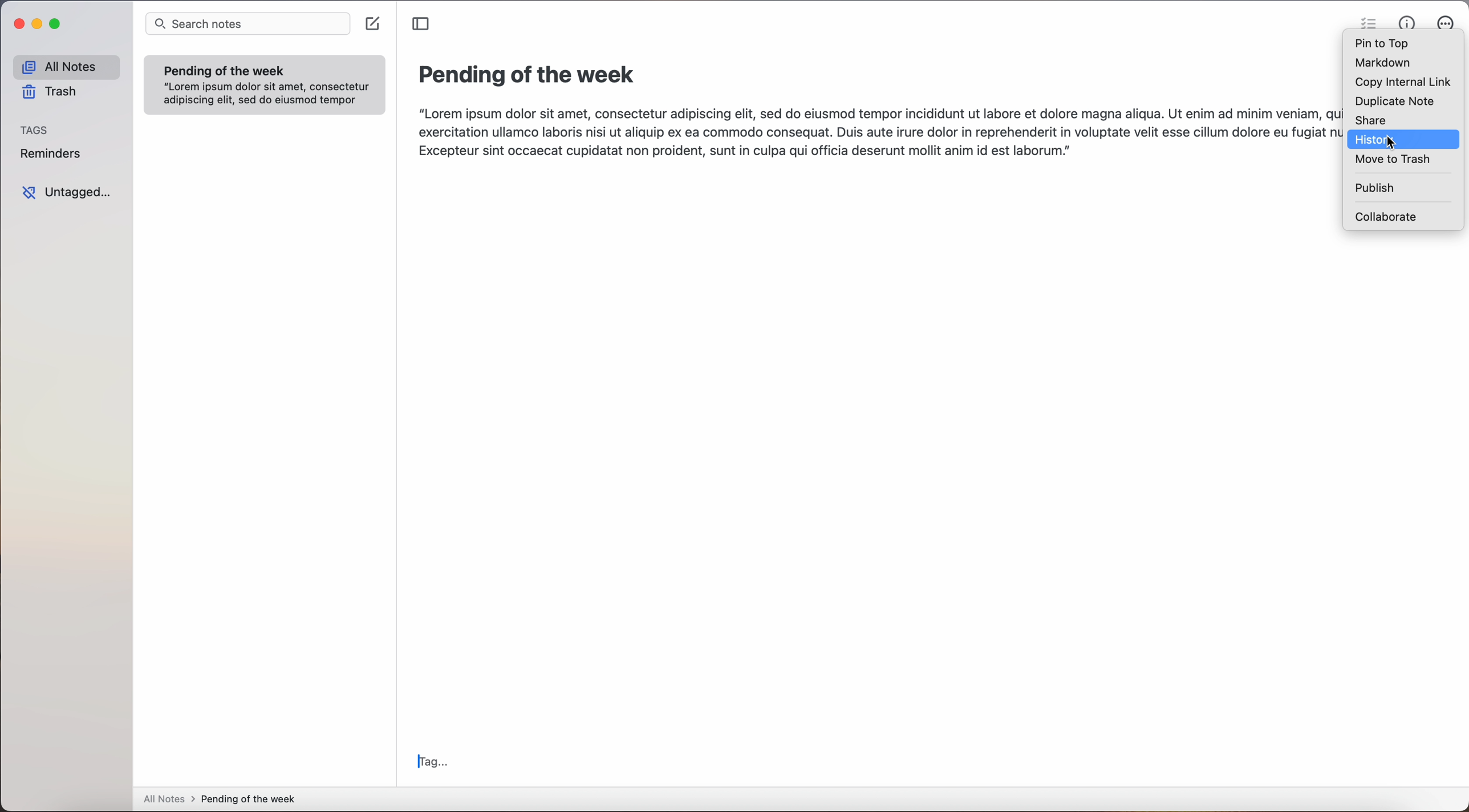 This screenshot has width=1469, height=812. Describe the element at coordinates (529, 76) in the screenshot. I see `title: Pending of the week` at that location.